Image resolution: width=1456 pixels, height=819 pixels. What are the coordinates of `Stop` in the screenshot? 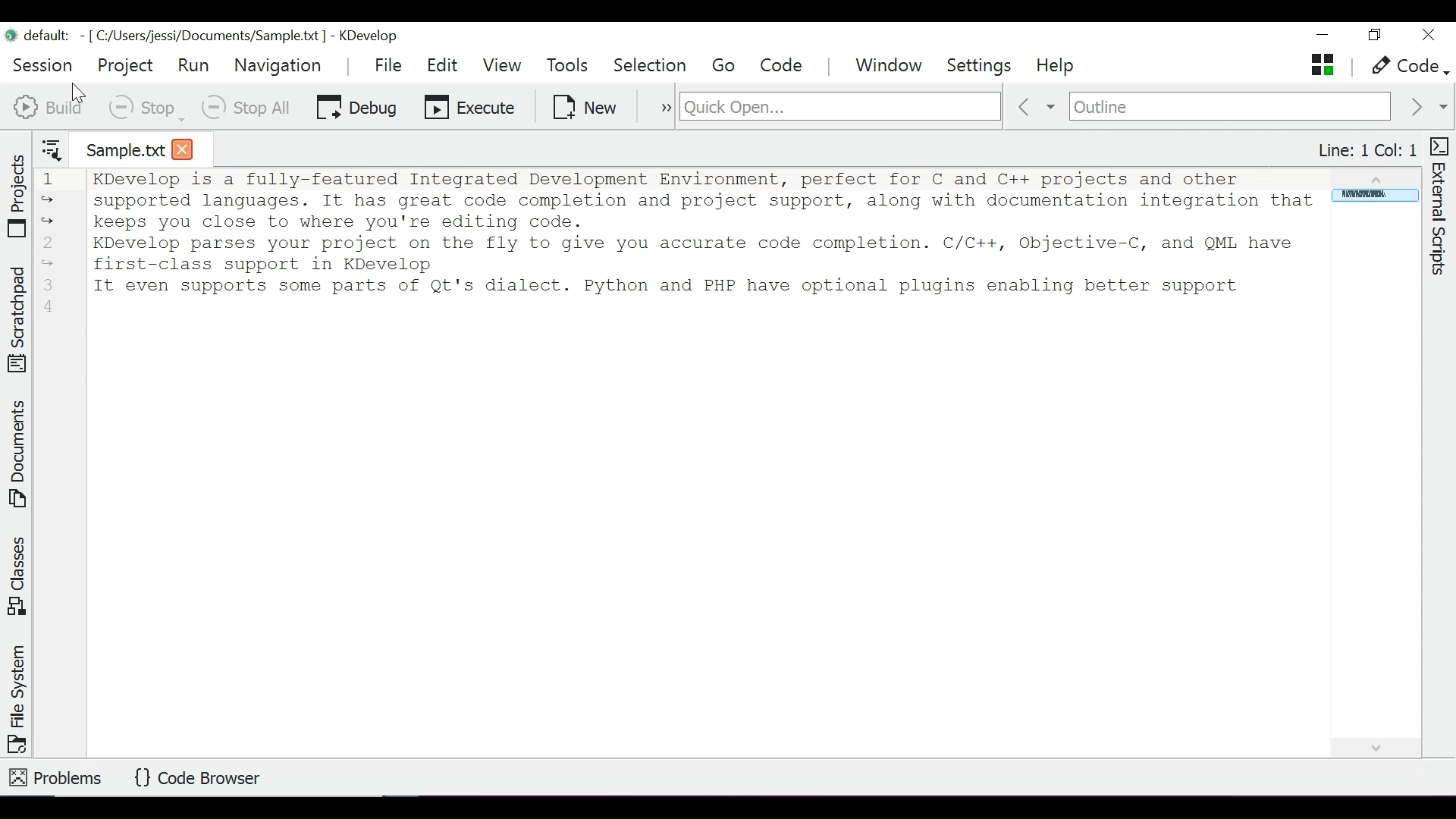 It's located at (146, 106).